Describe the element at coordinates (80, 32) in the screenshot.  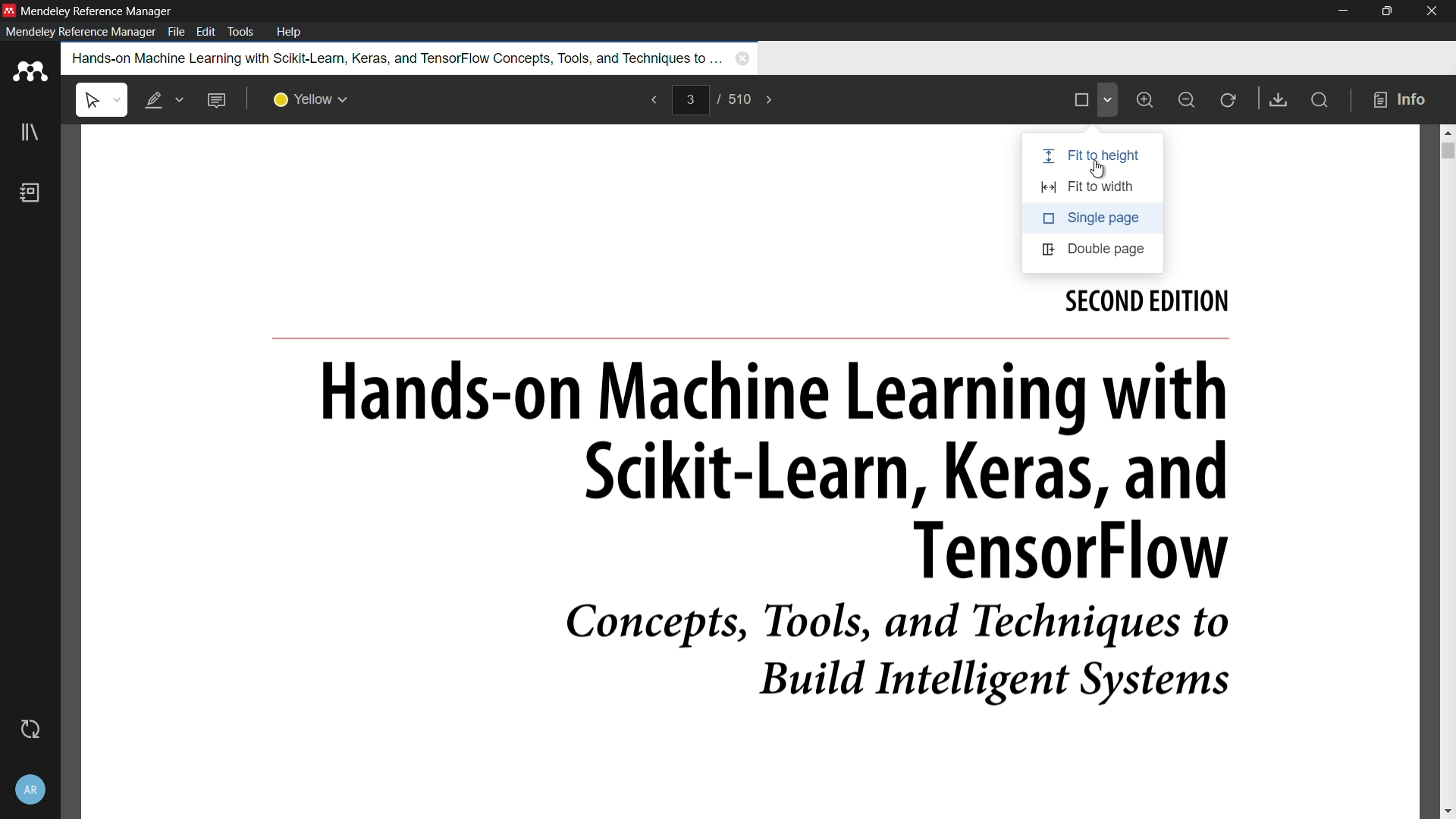
I see `mendeley reference manager` at that location.